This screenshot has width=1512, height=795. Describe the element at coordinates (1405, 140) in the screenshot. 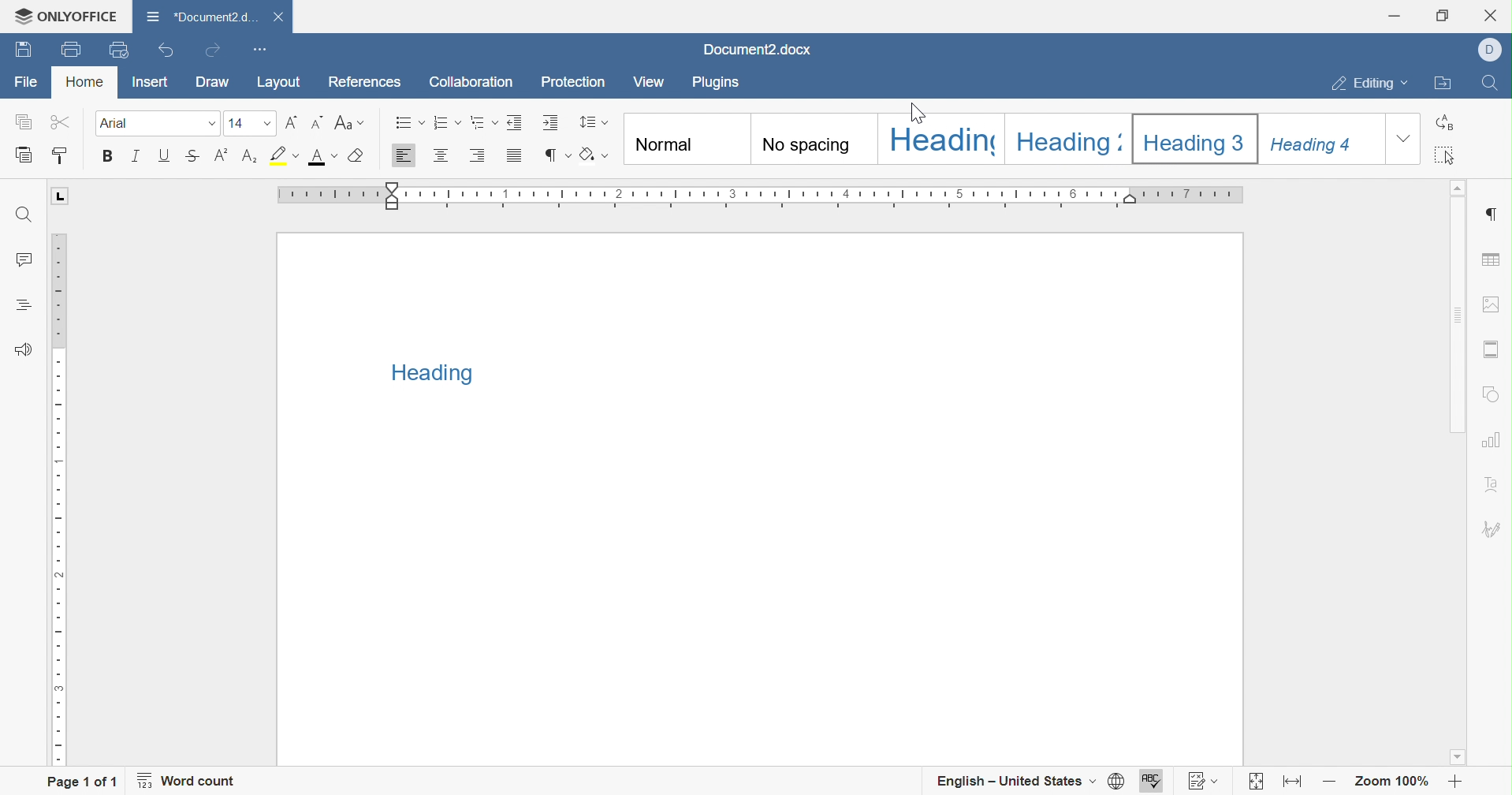

I see `Drop Down` at that location.